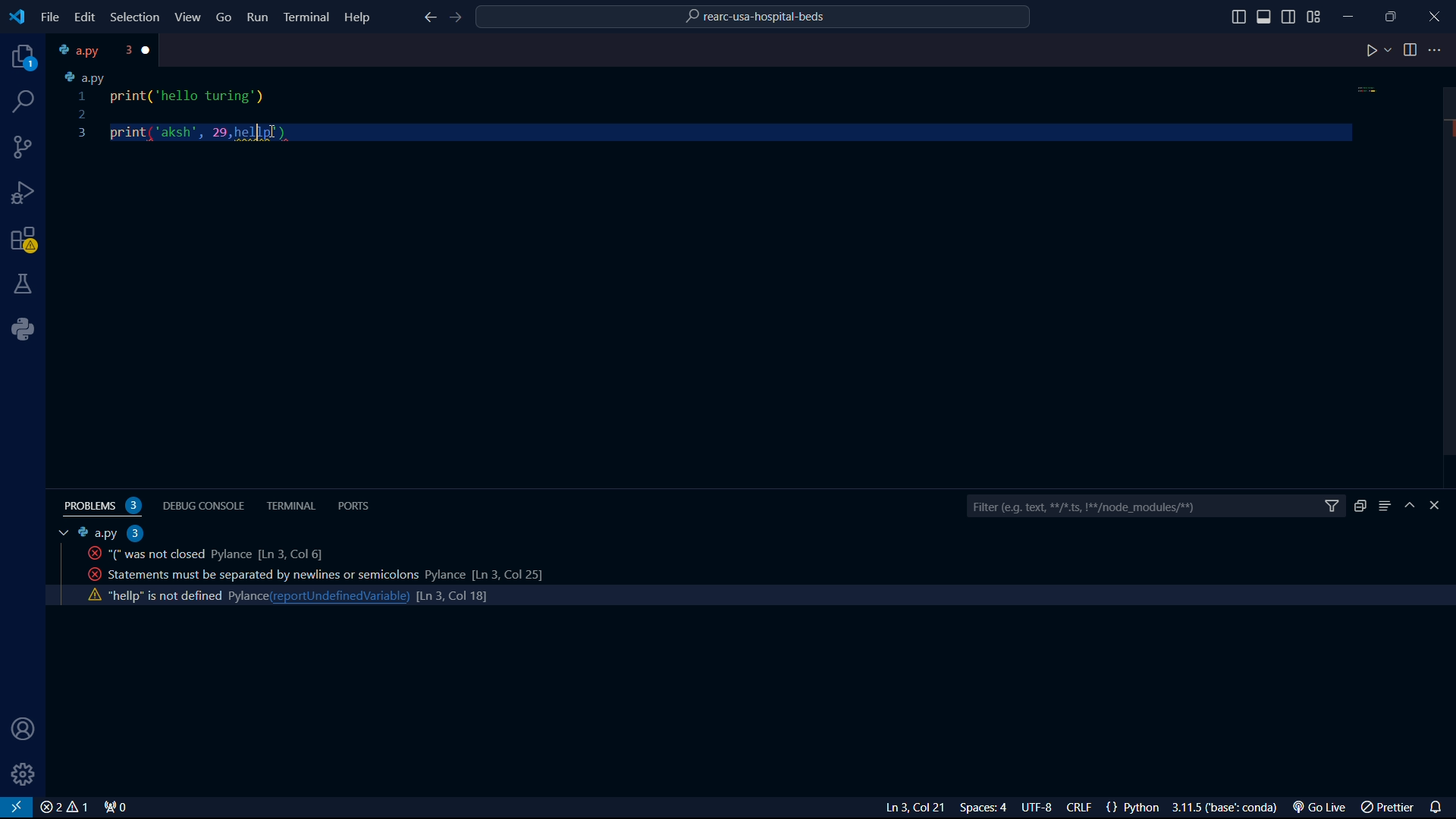 This screenshot has width=1456, height=819. Describe the element at coordinates (106, 506) in the screenshot. I see `problems 2` at that location.